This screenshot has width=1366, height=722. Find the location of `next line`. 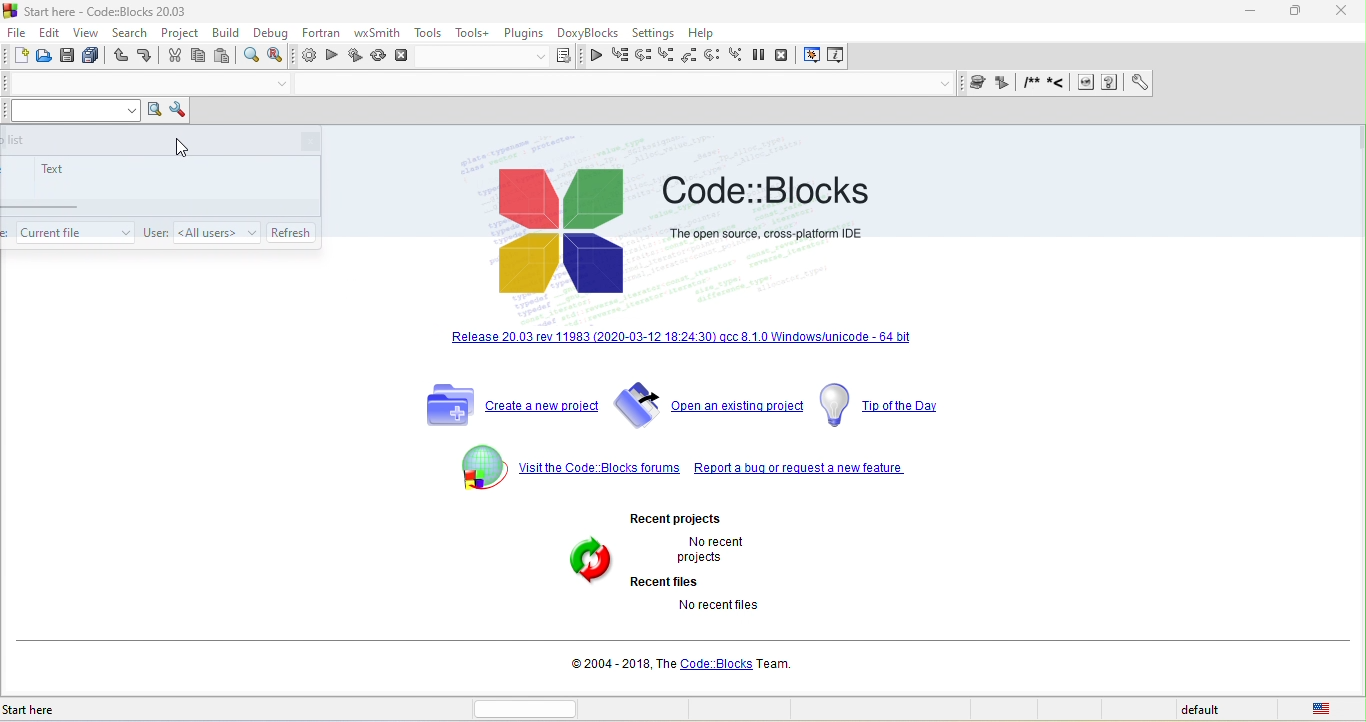

next line is located at coordinates (642, 55).